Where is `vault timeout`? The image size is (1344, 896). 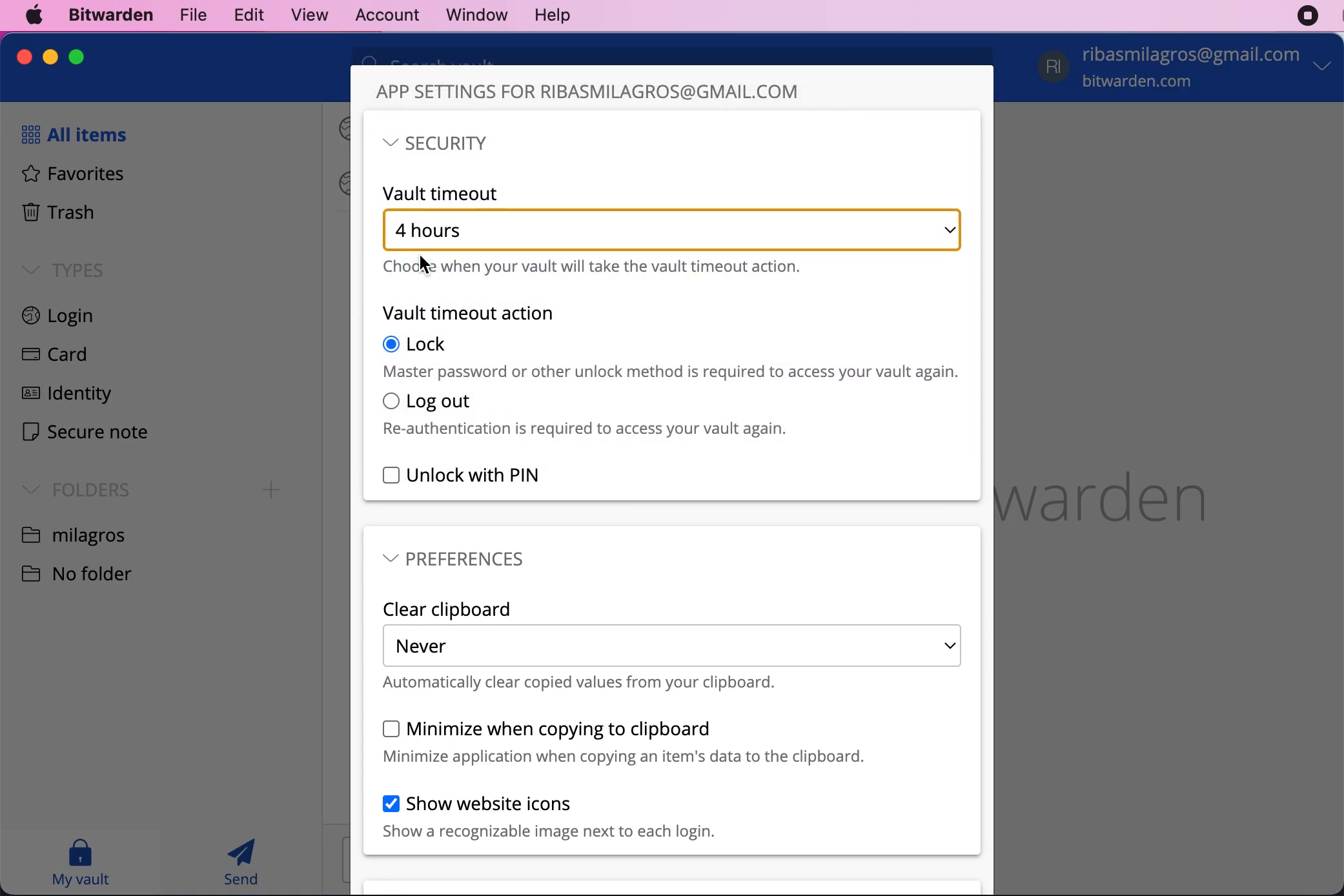 vault timeout is located at coordinates (444, 192).